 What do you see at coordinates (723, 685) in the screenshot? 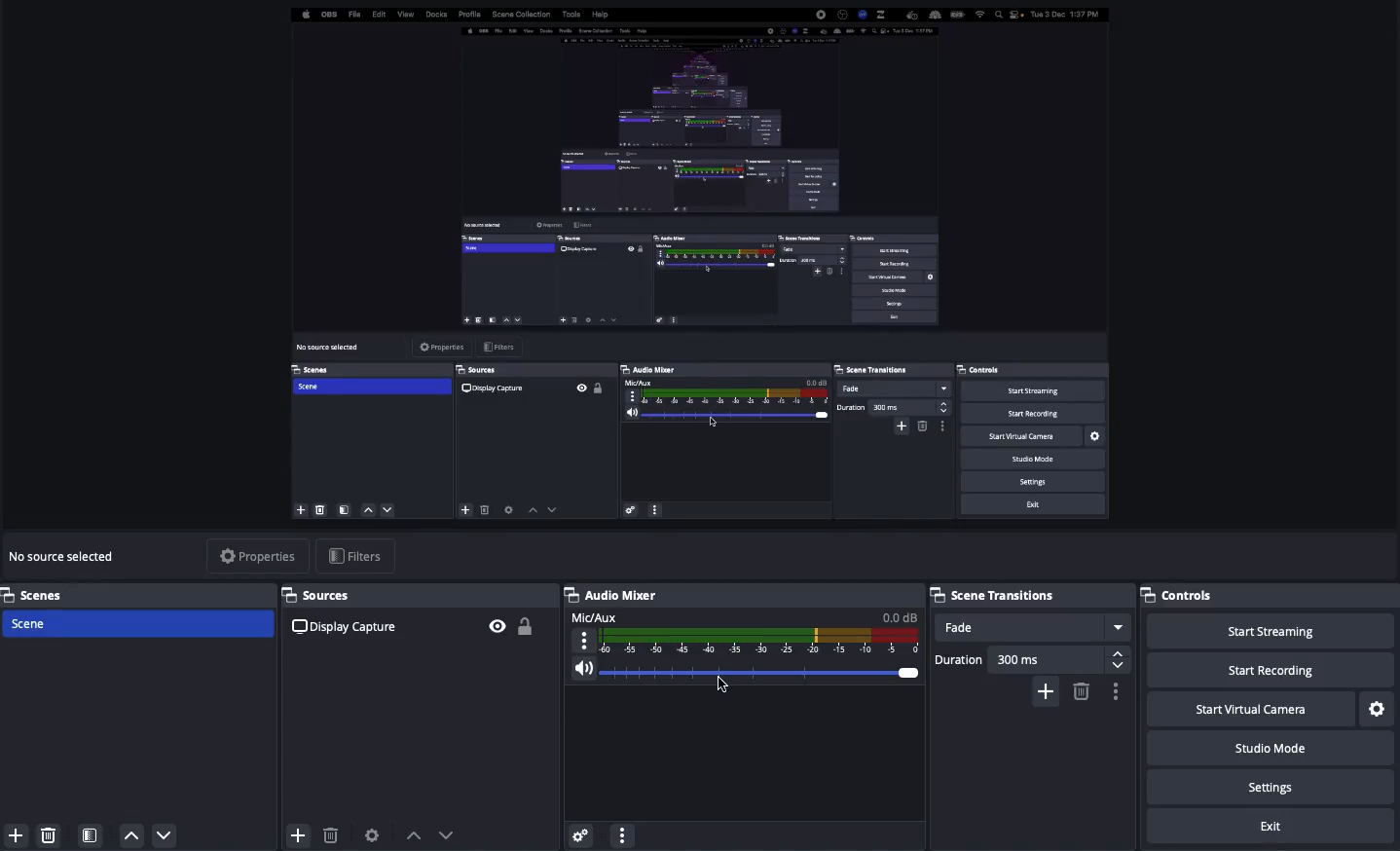
I see `Cursor` at bounding box center [723, 685].